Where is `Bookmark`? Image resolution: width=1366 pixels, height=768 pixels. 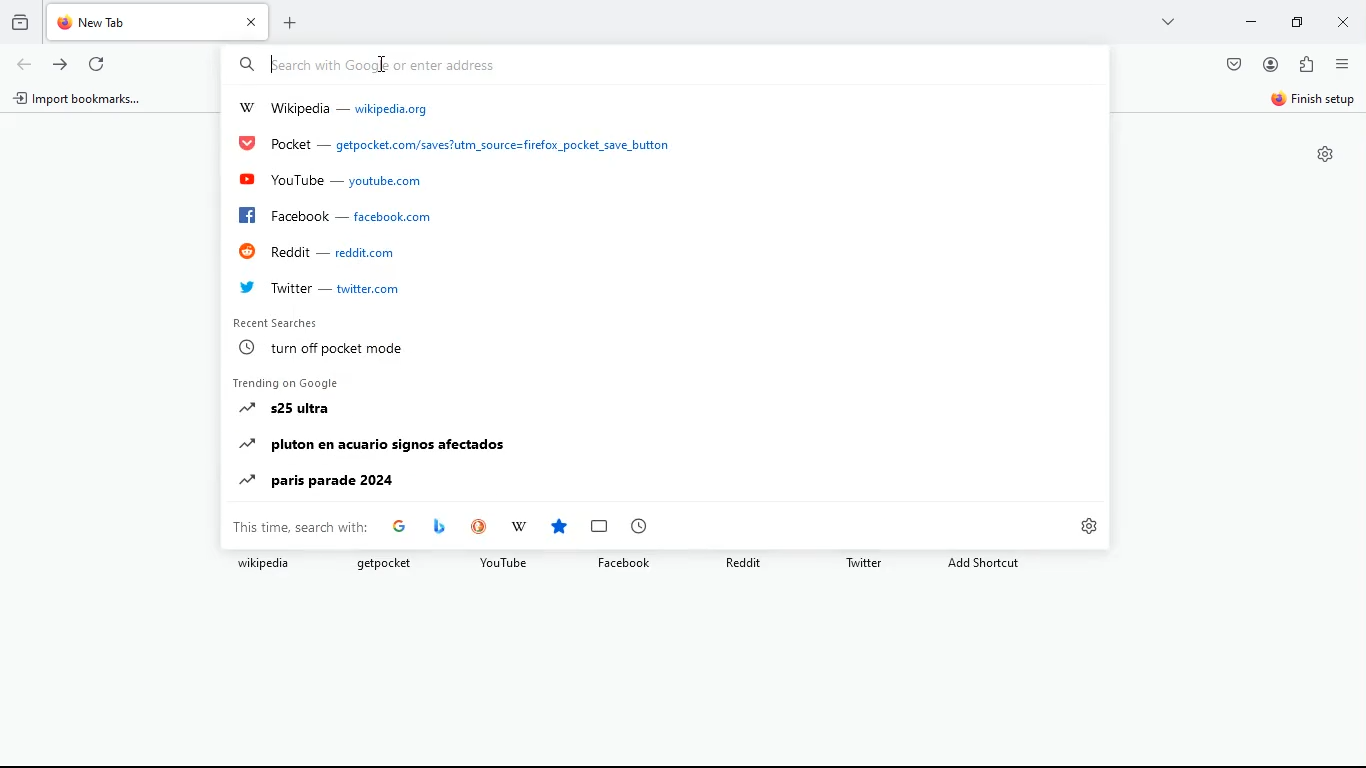
Bookmark is located at coordinates (600, 525).